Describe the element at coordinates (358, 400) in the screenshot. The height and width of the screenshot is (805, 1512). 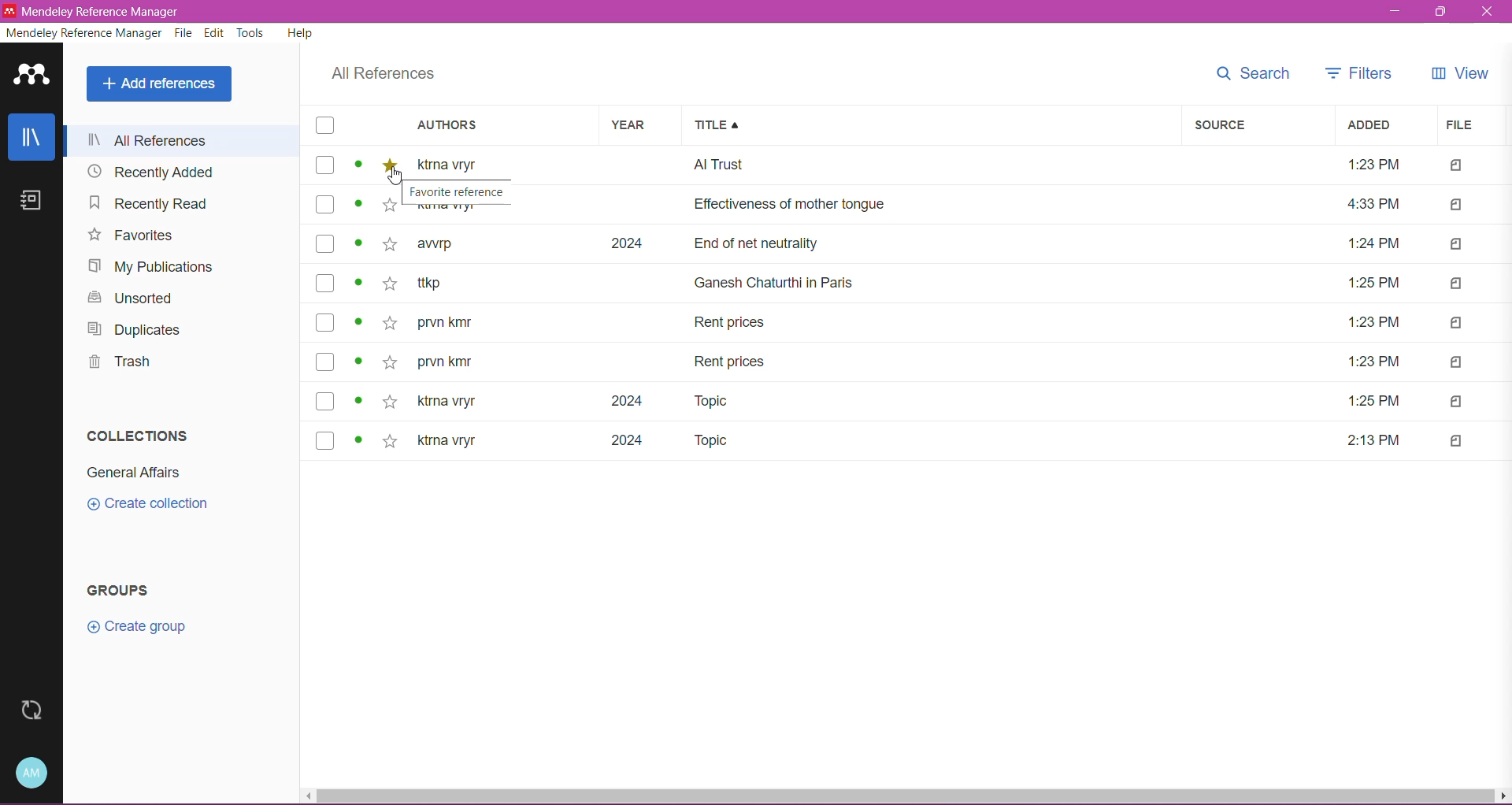
I see `Click to see more details` at that location.